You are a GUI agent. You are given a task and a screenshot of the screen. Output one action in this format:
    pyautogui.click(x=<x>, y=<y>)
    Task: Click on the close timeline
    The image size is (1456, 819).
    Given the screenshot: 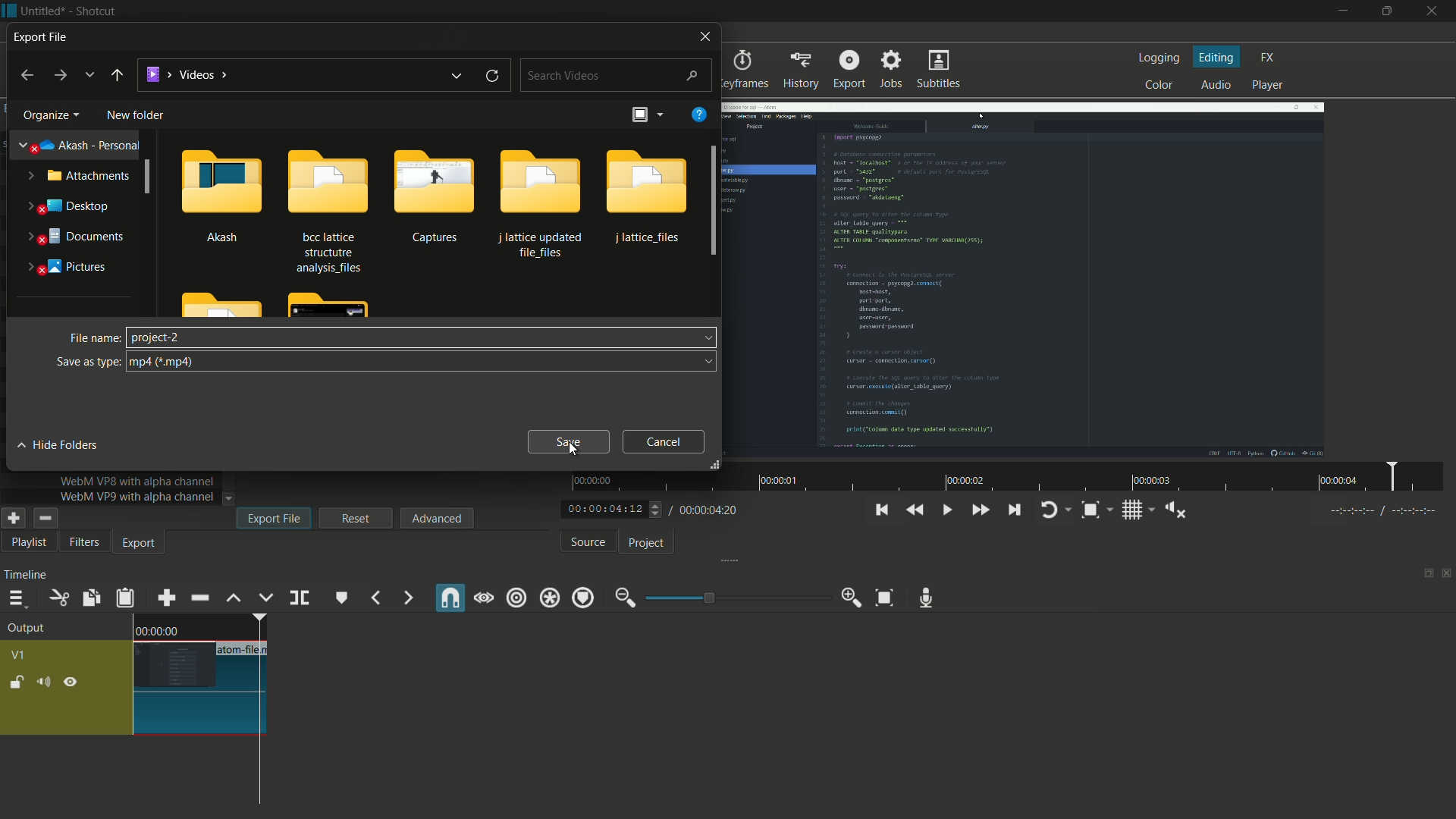 What is the action you would take?
    pyautogui.click(x=1447, y=574)
    